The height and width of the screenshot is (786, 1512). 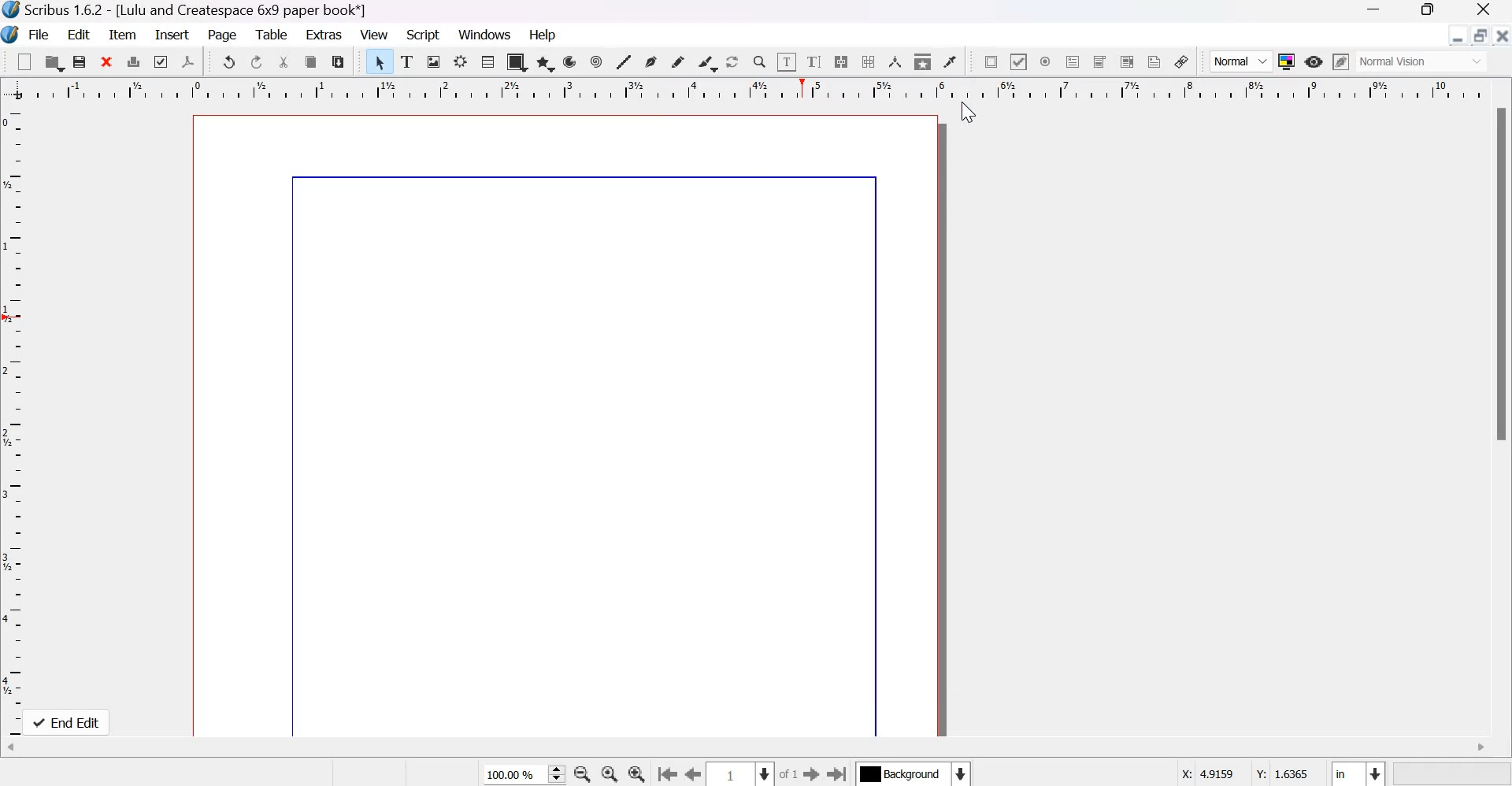 What do you see at coordinates (338, 62) in the screenshot?
I see `paste` at bounding box center [338, 62].